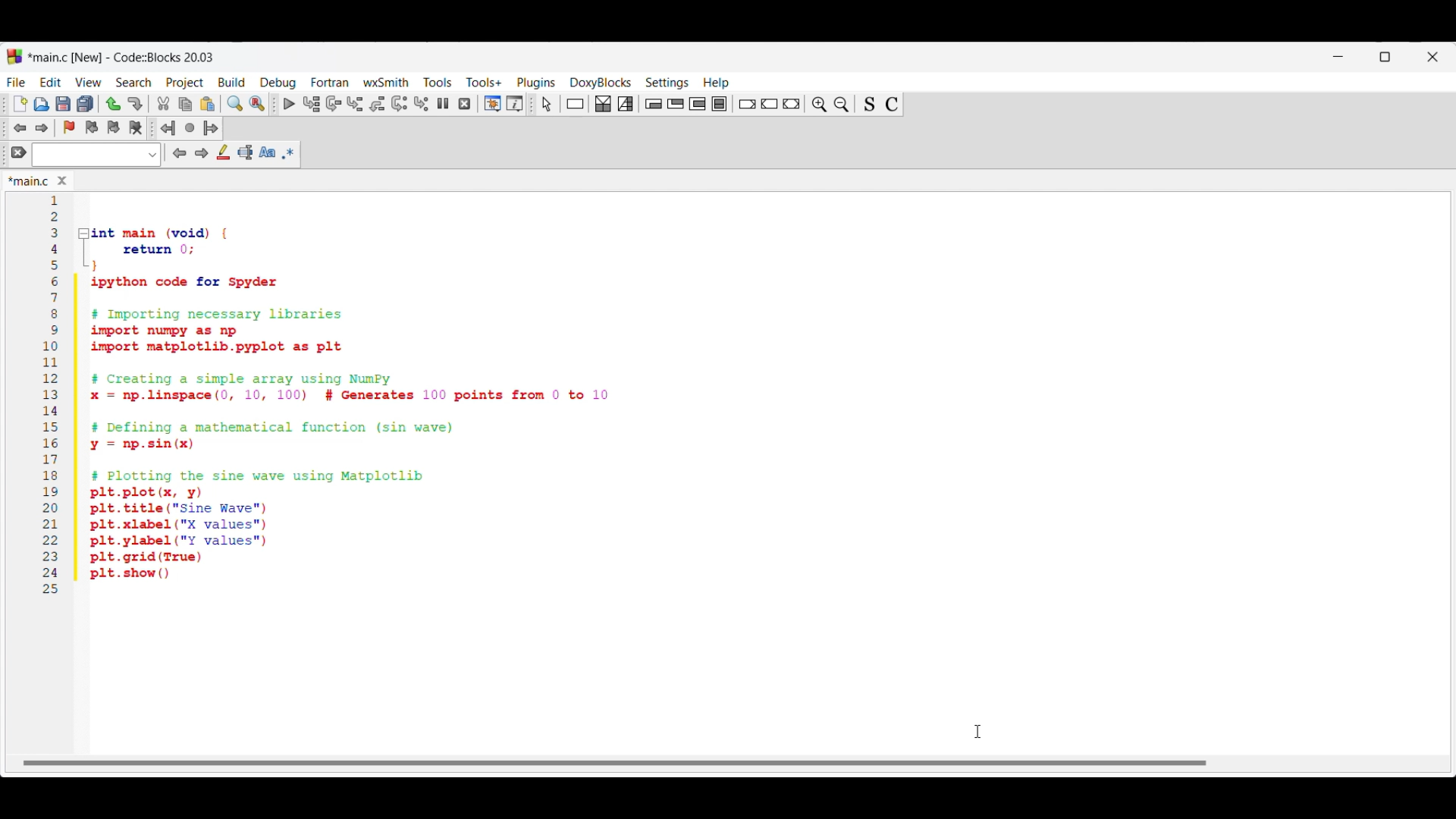 The width and height of the screenshot is (1456, 819). What do you see at coordinates (842, 104) in the screenshot?
I see `Zoom out` at bounding box center [842, 104].